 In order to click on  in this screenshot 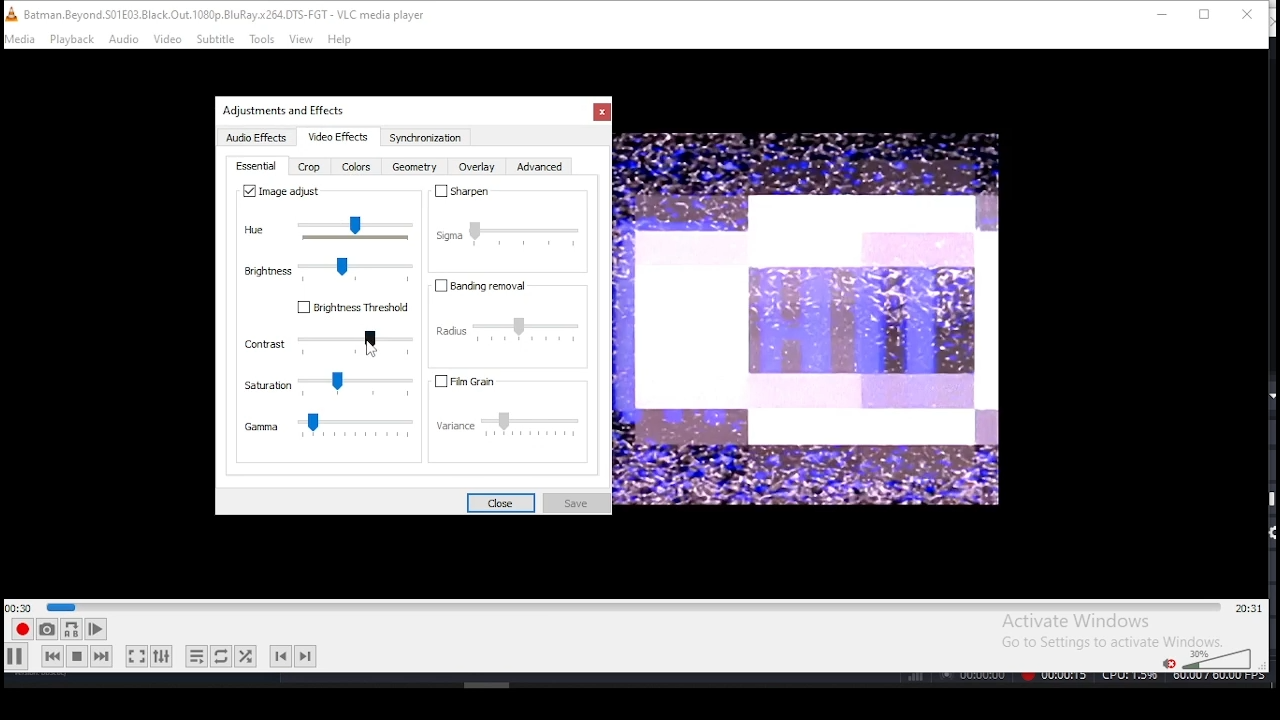, I will do `click(1084, 679)`.